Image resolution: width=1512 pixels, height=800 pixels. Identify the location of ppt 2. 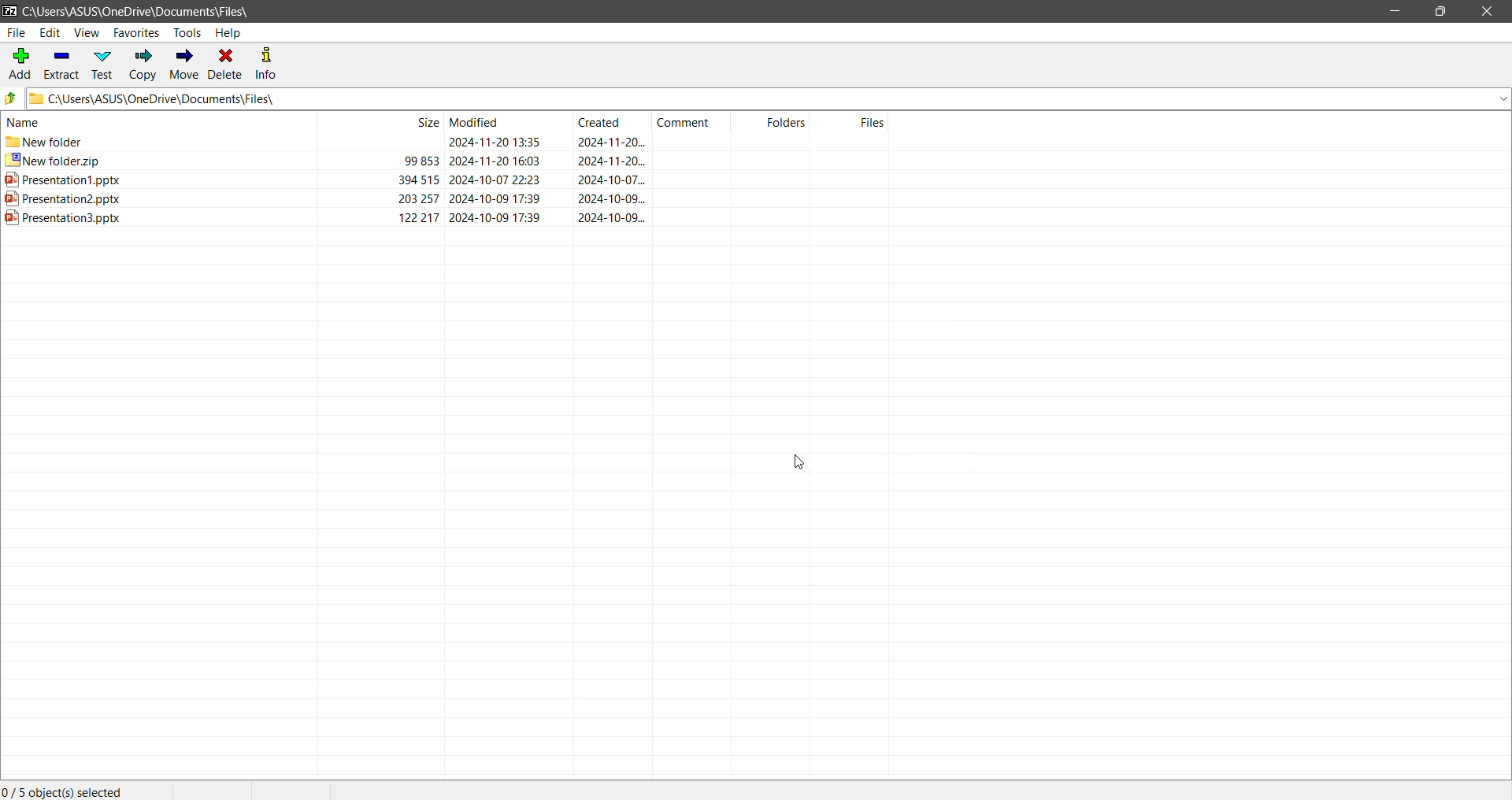
(447, 199).